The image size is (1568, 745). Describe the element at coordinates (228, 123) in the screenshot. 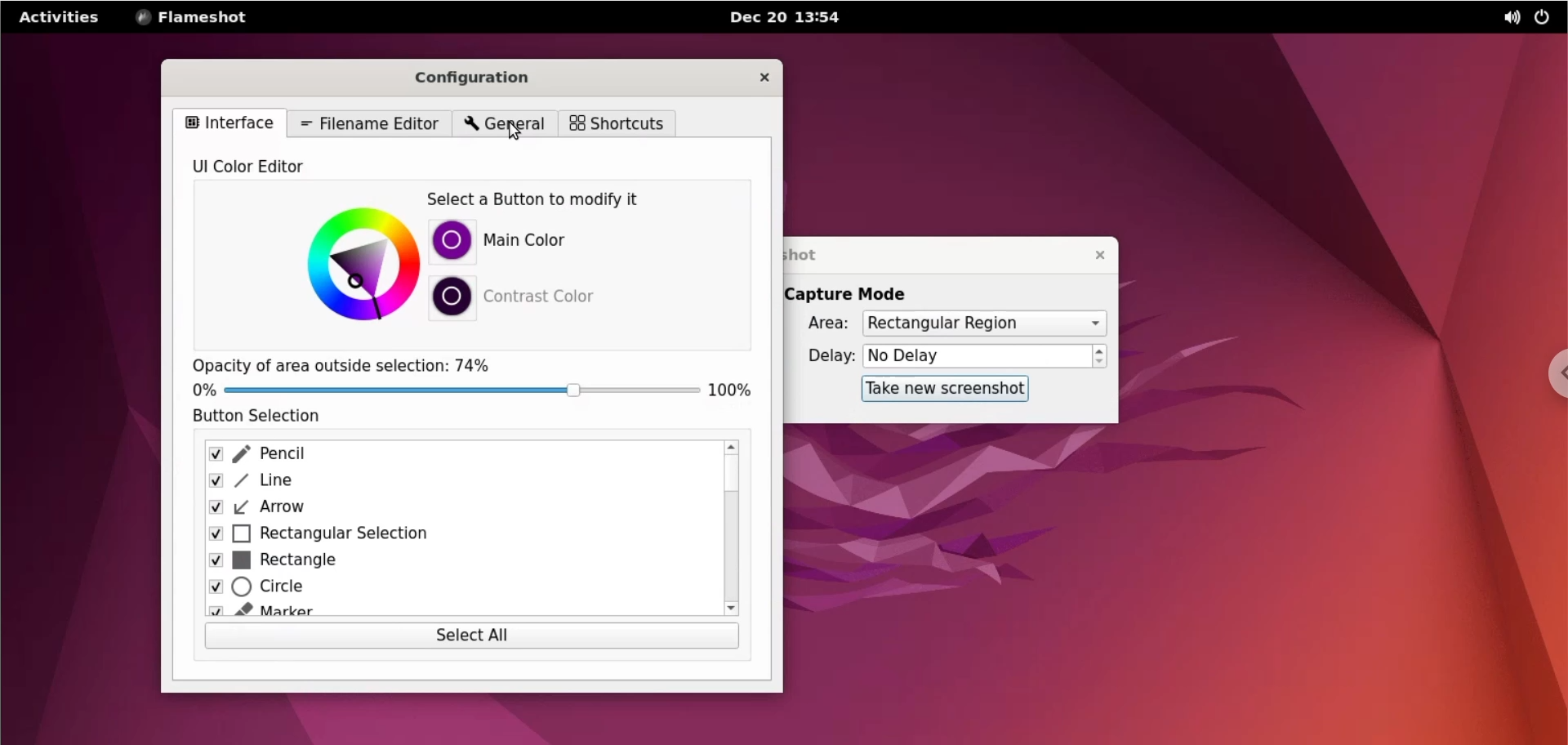

I see `interface` at that location.